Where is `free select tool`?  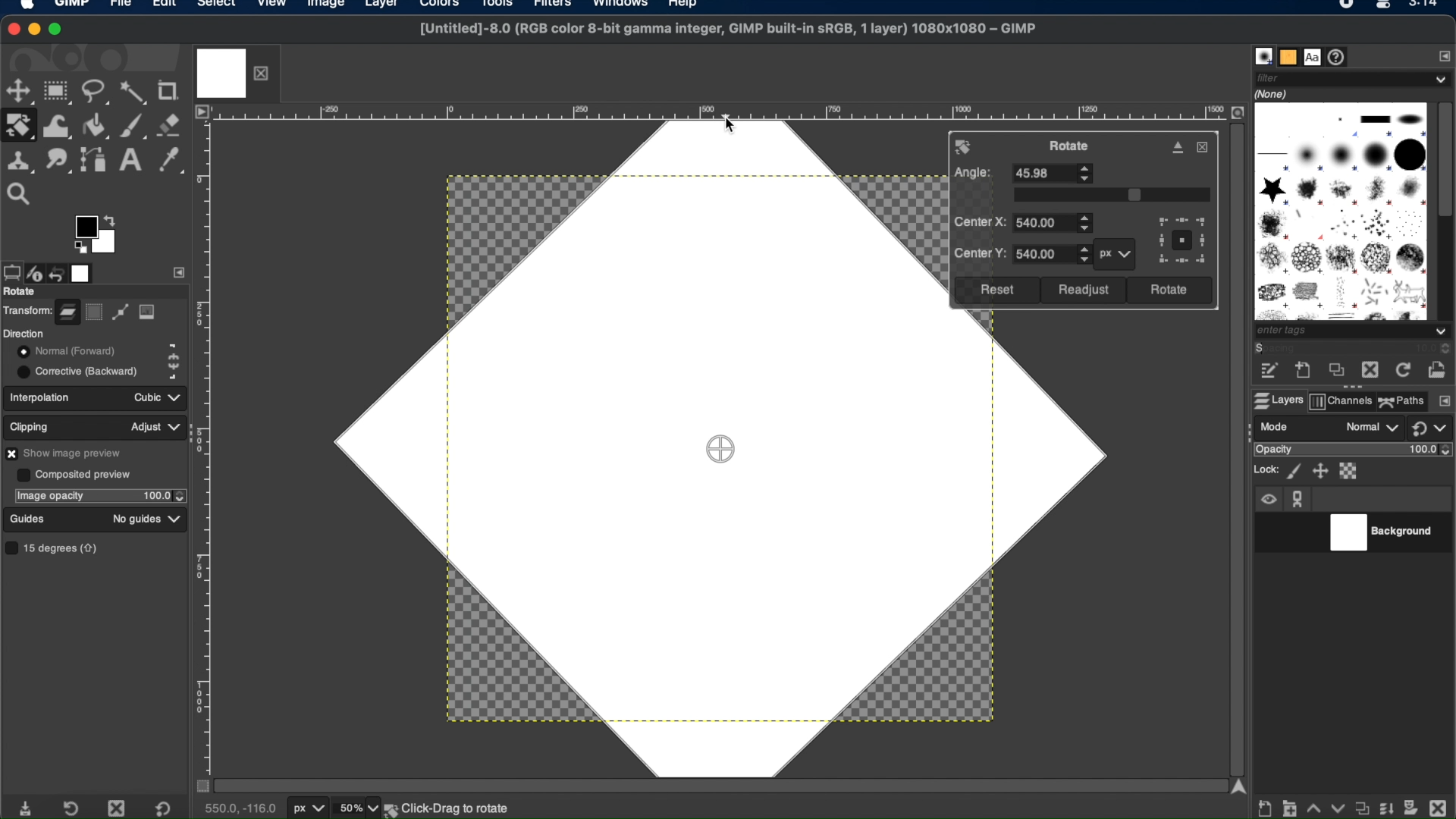
free select tool is located at coordinates (96, 93).